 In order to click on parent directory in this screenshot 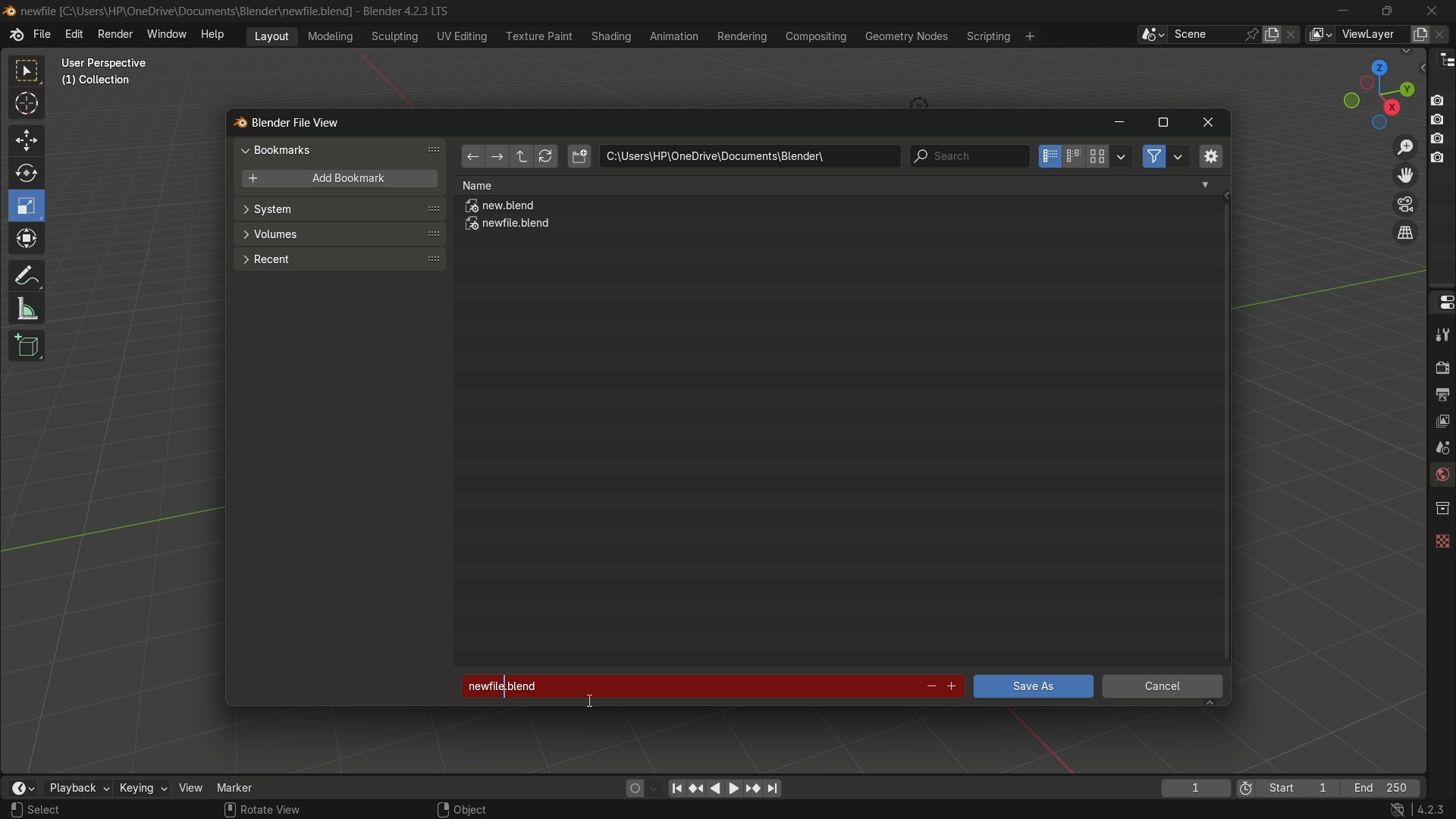, I will do `click(523, 156)`.